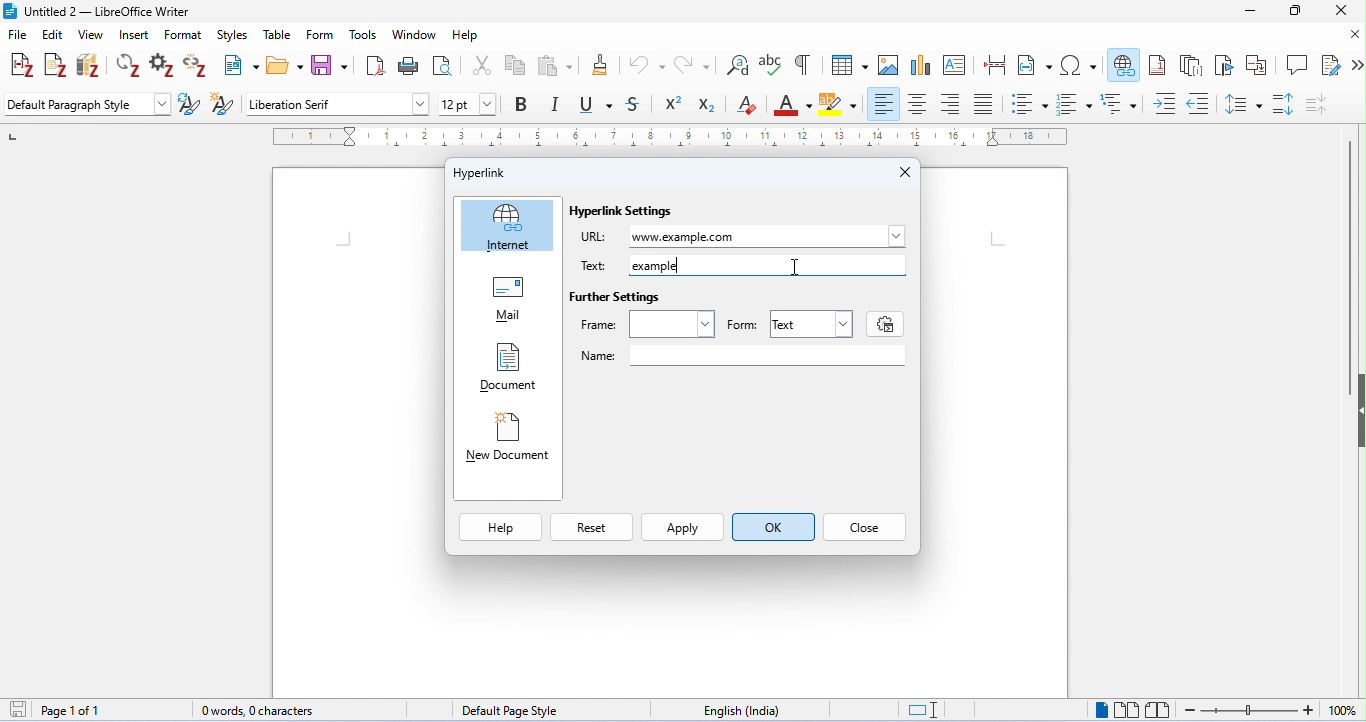 This screenshot has height=722, width=1366. What do you see at coordinates (803, 269) in the screenshot?
I see `cursor moved` at bounding box center [803, 269].